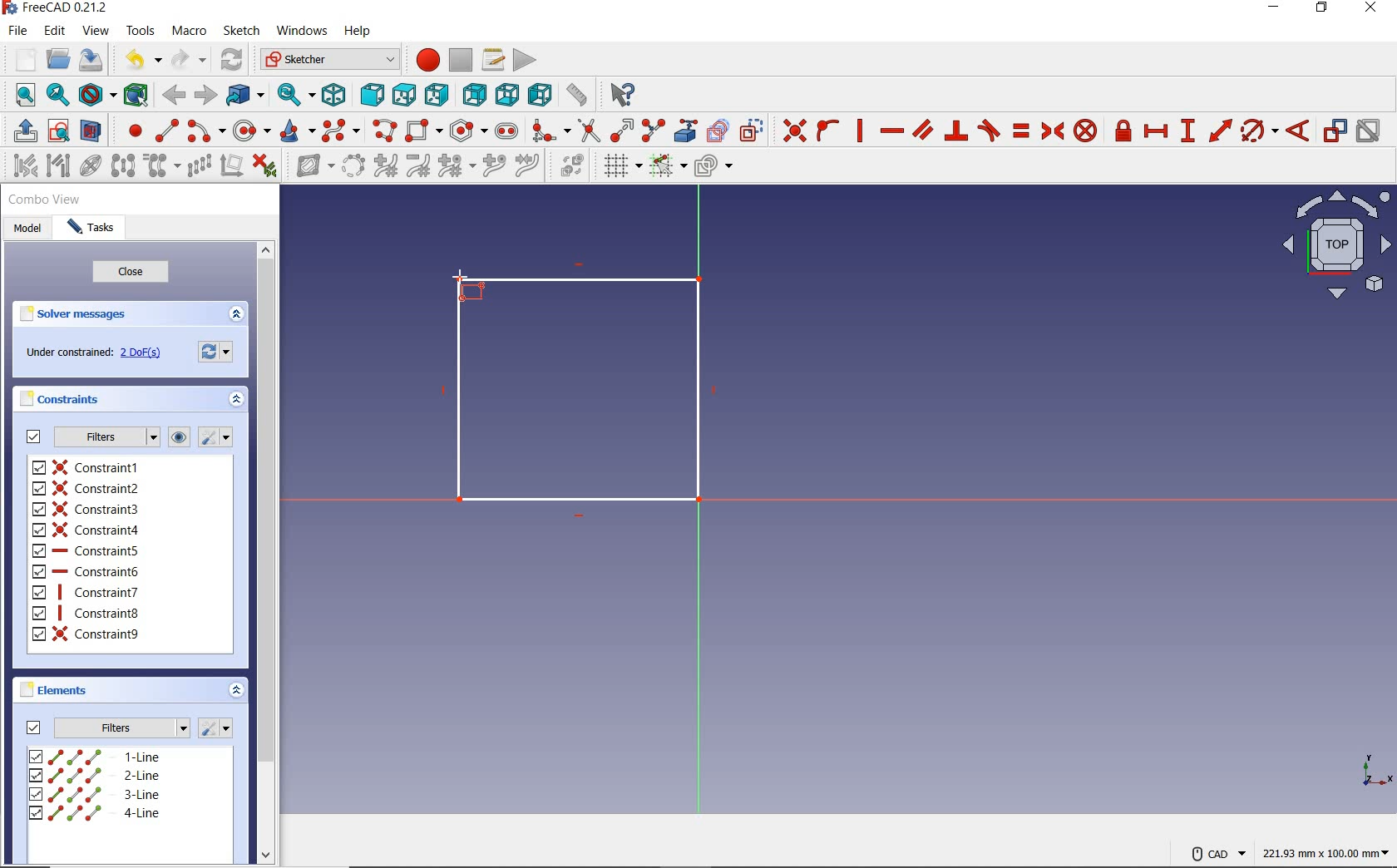 This screenshot has width=1397, height=868. I want to click on rectangle tool at point Y rising, so click(468, 287).